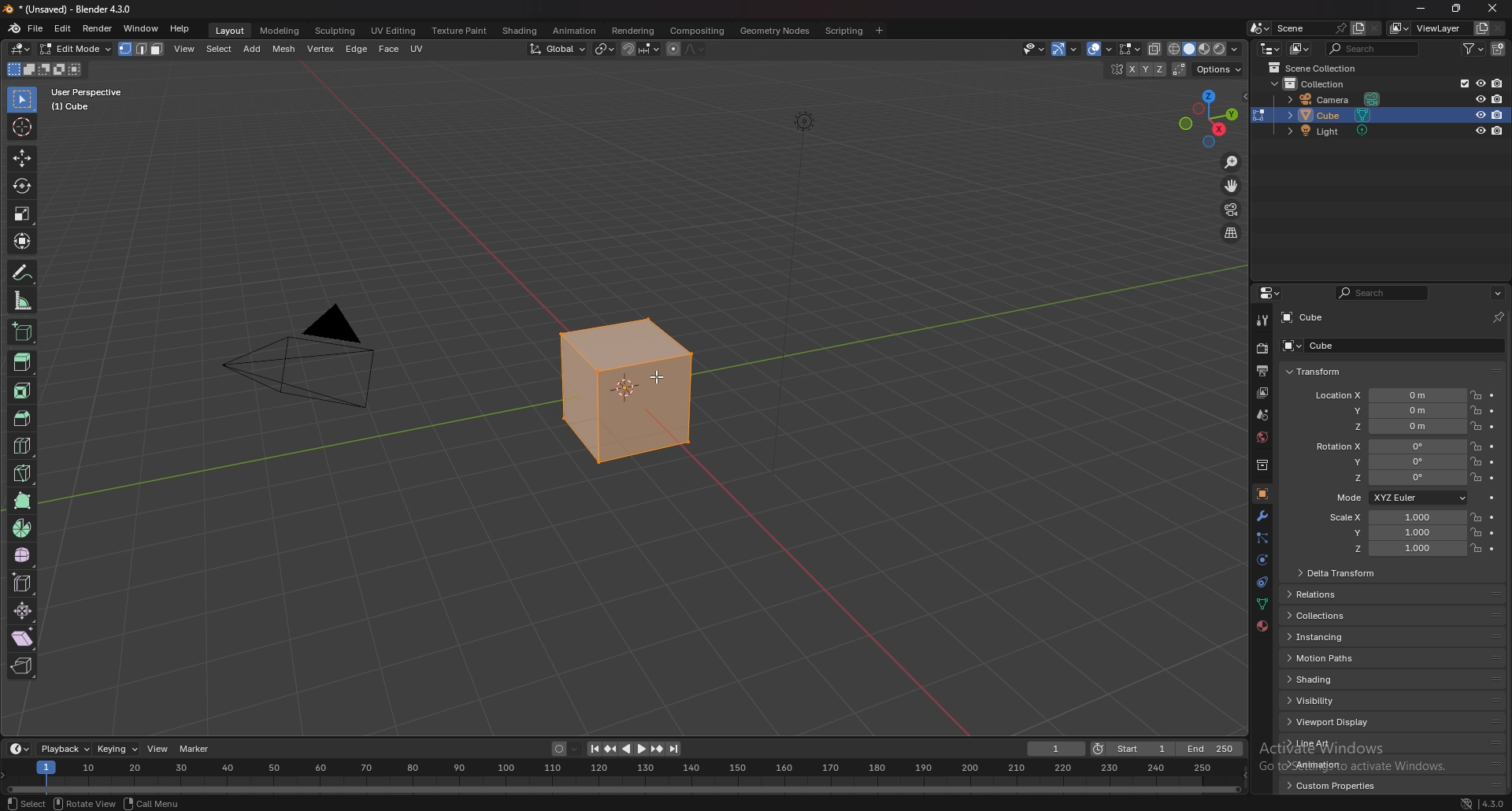 The width and height of the screenshot is (1512, 811). What do you see at coordinates (1209, 116) in the screenshot?
I see `use a preset viewport` at bounding box center [1209, 116].